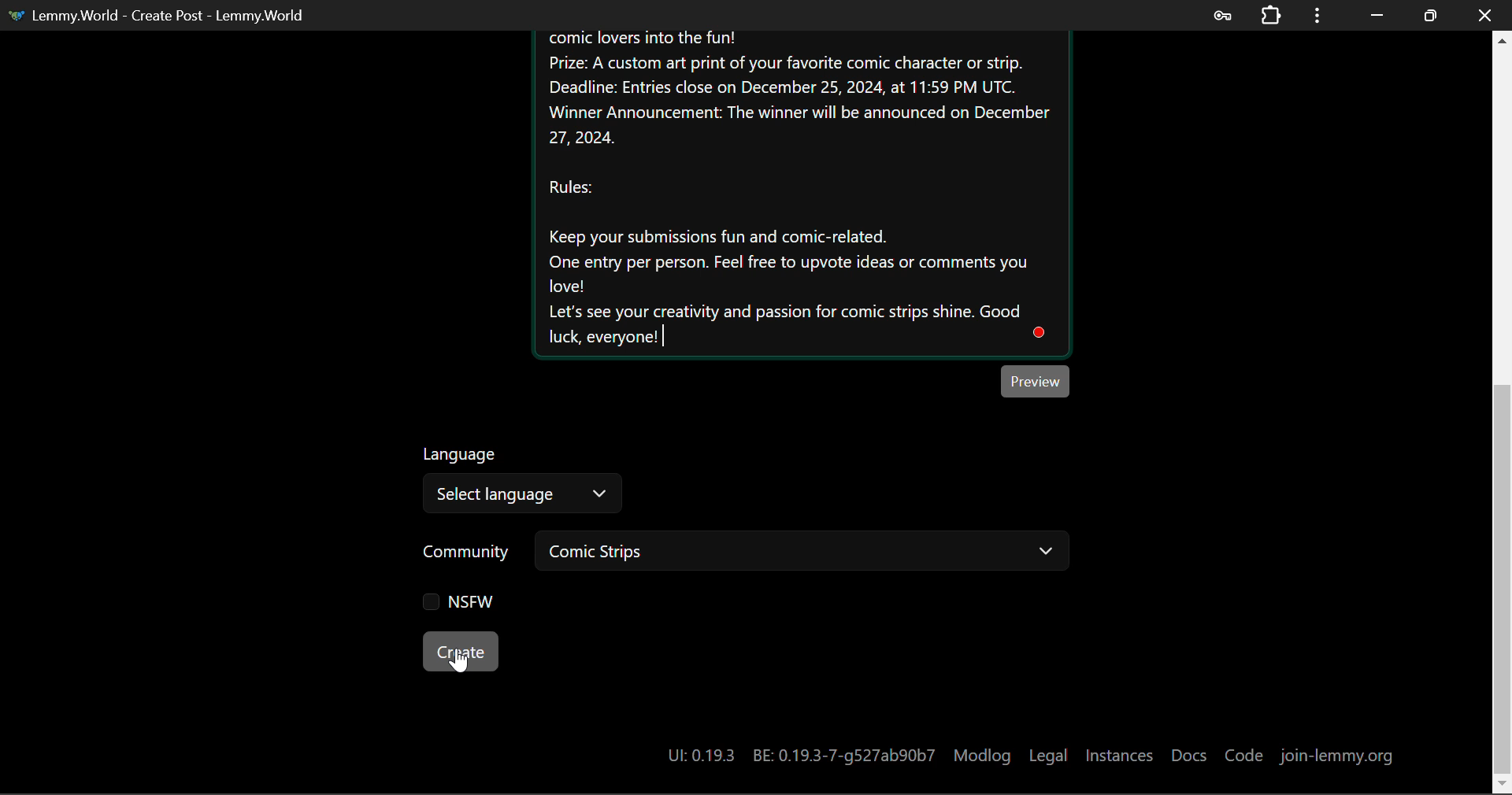 Image resolution: width=1512 pixels, height=795 pixels. What do you see at coordinates (467, 553) in the screenshot?
I see `Community` at bounding box center [467, 553].